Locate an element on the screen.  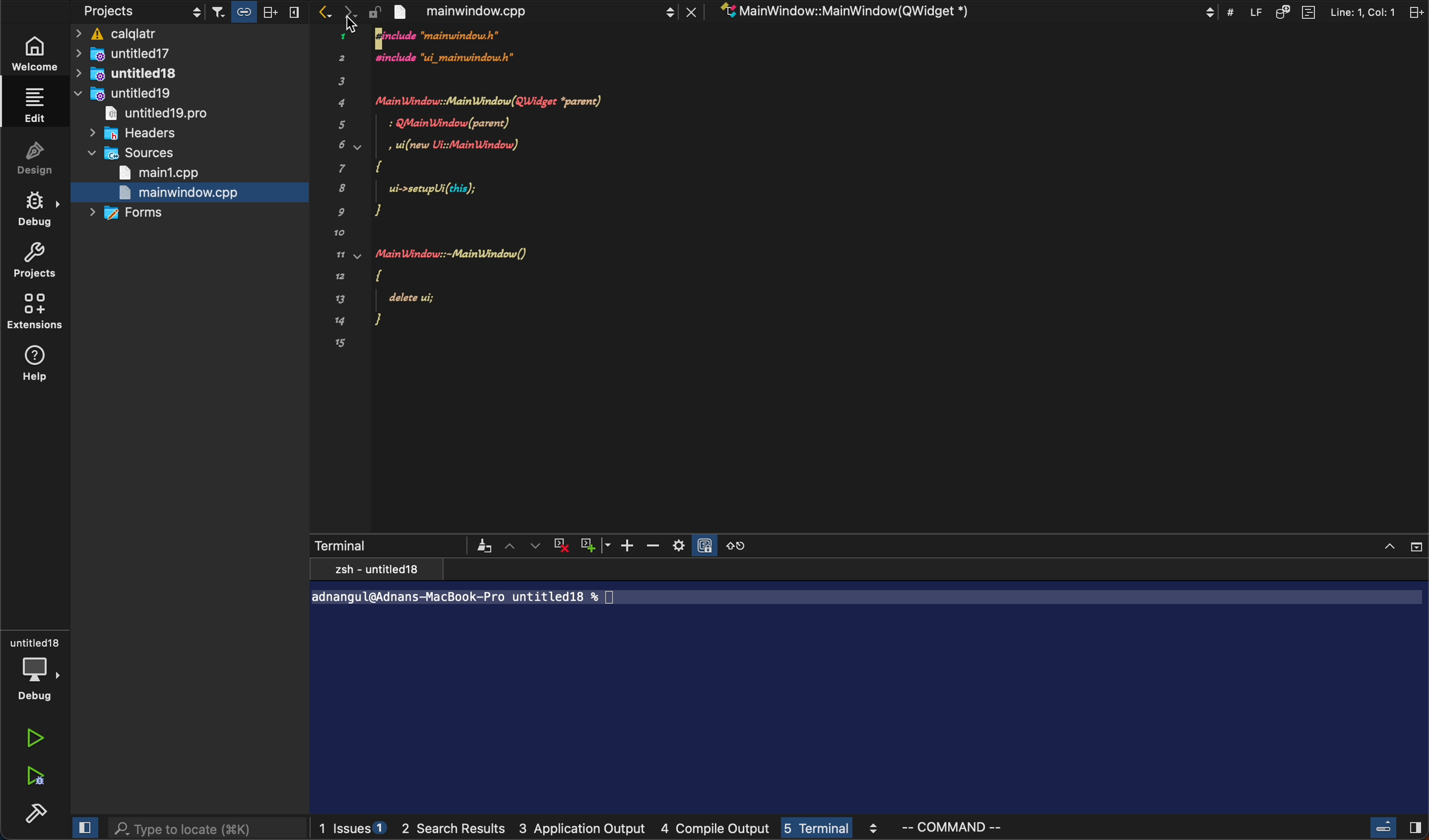
extensions is located at coordinates (35, 309).